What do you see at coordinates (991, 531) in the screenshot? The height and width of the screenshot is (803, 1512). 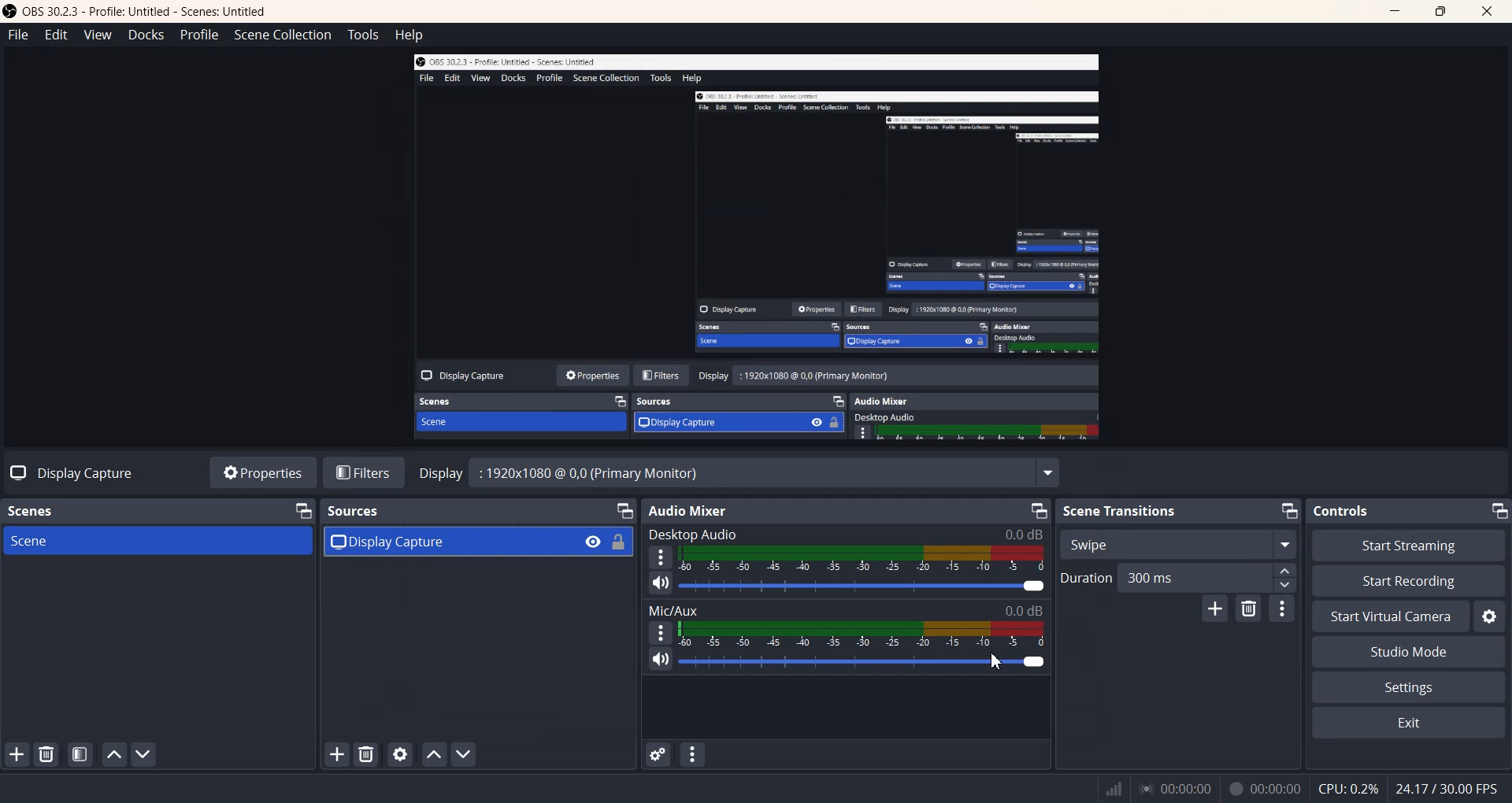 I see `Desktop Audio` at bounding box center [991, 531].